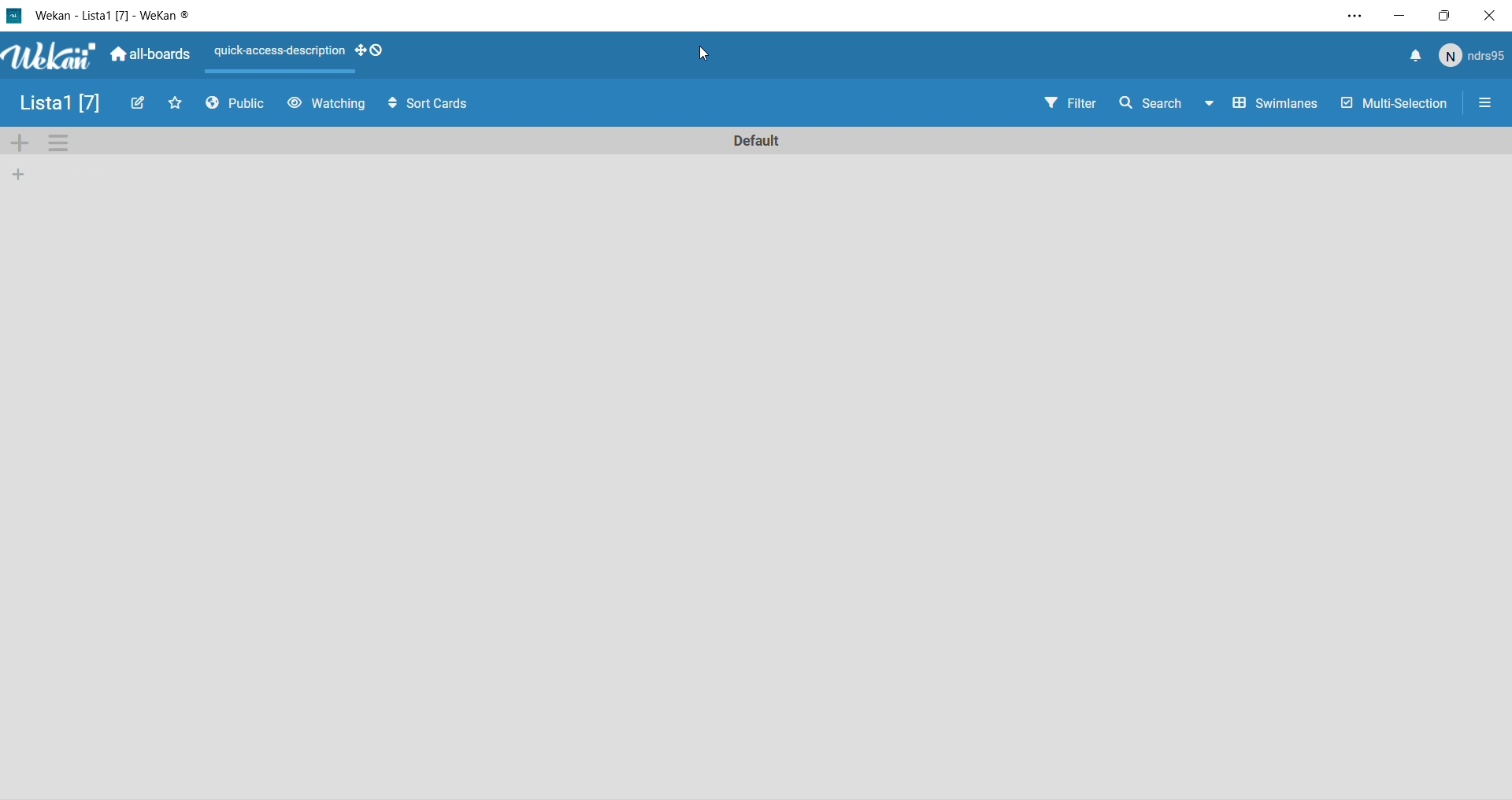  Describe the element at coordinates (239, 103) in the screenshot. I see `Public` at that location.